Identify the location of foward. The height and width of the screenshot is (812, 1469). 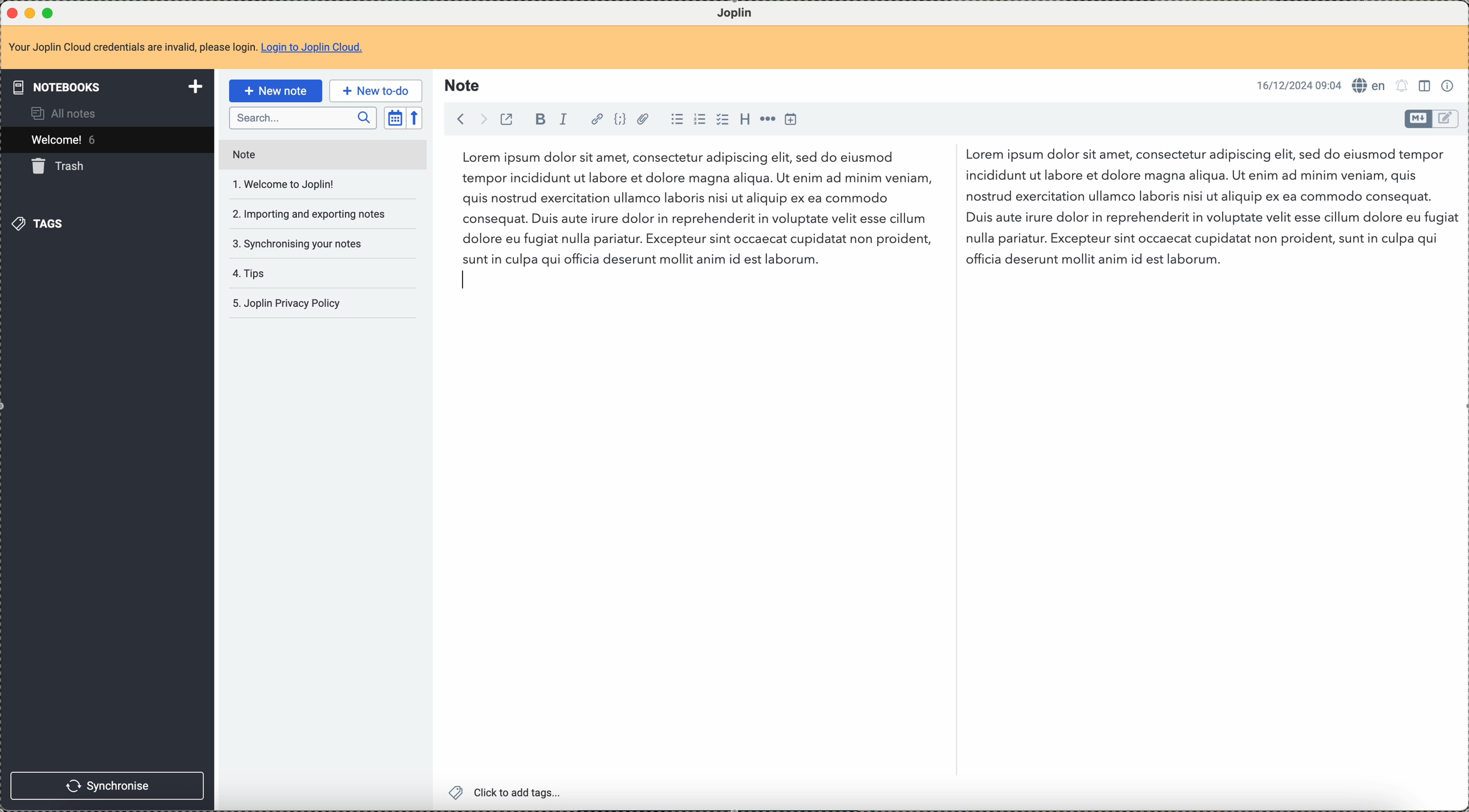
(480, 119).